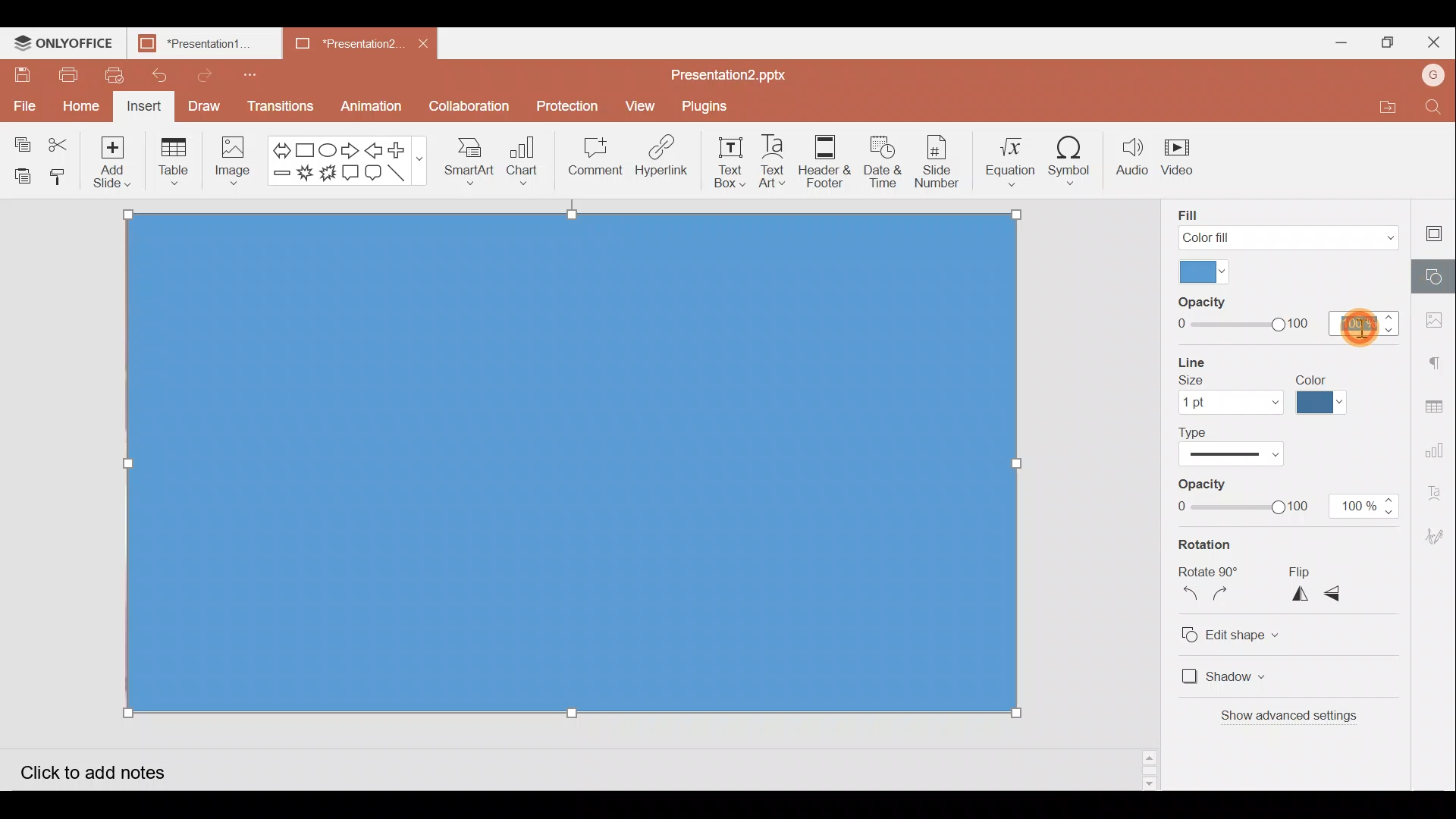  Describe the element at coordinates (82, 105) in the screenshot. I see `Home` at that location.